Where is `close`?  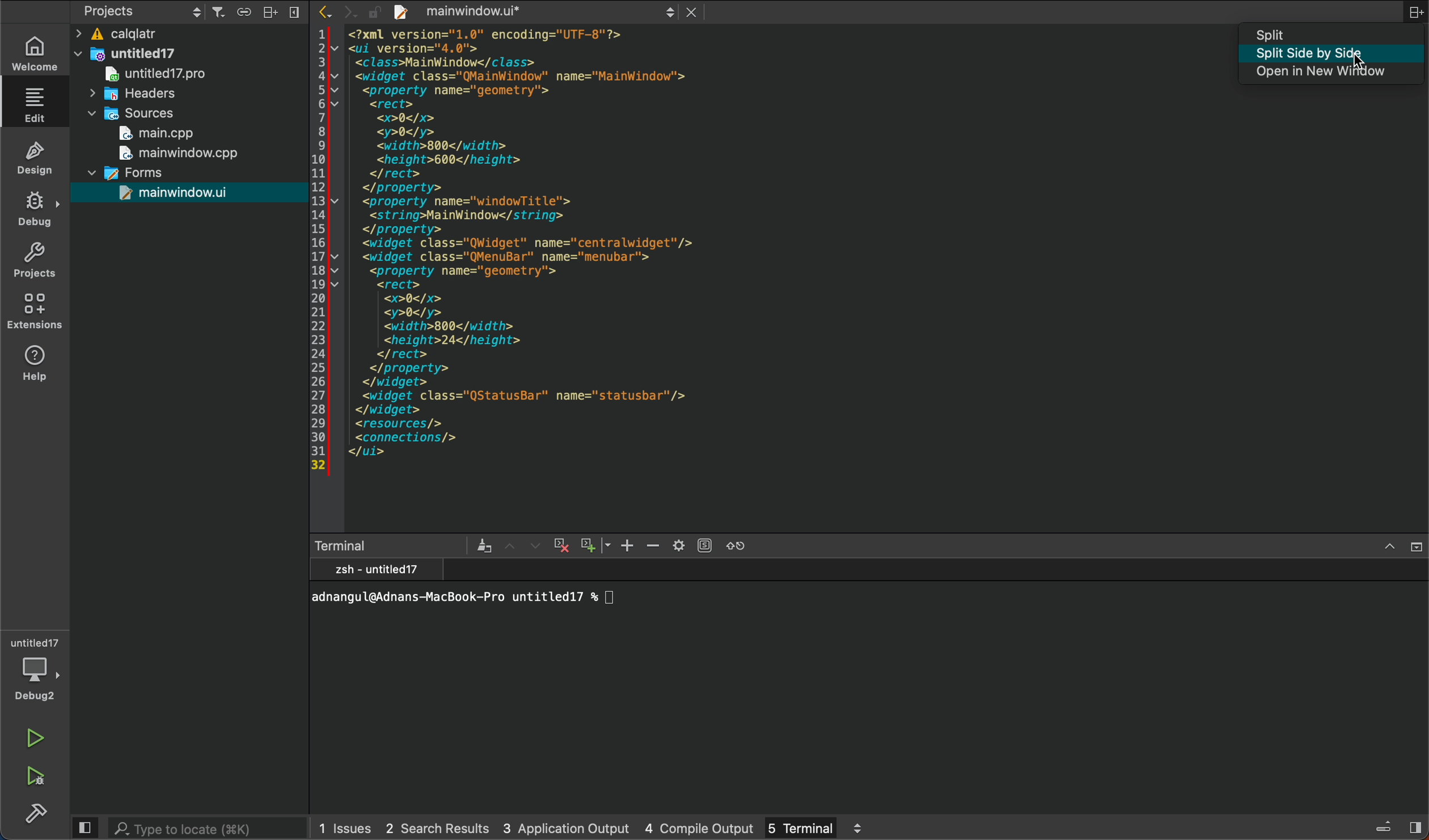
close is located at coordinates (294, 12).